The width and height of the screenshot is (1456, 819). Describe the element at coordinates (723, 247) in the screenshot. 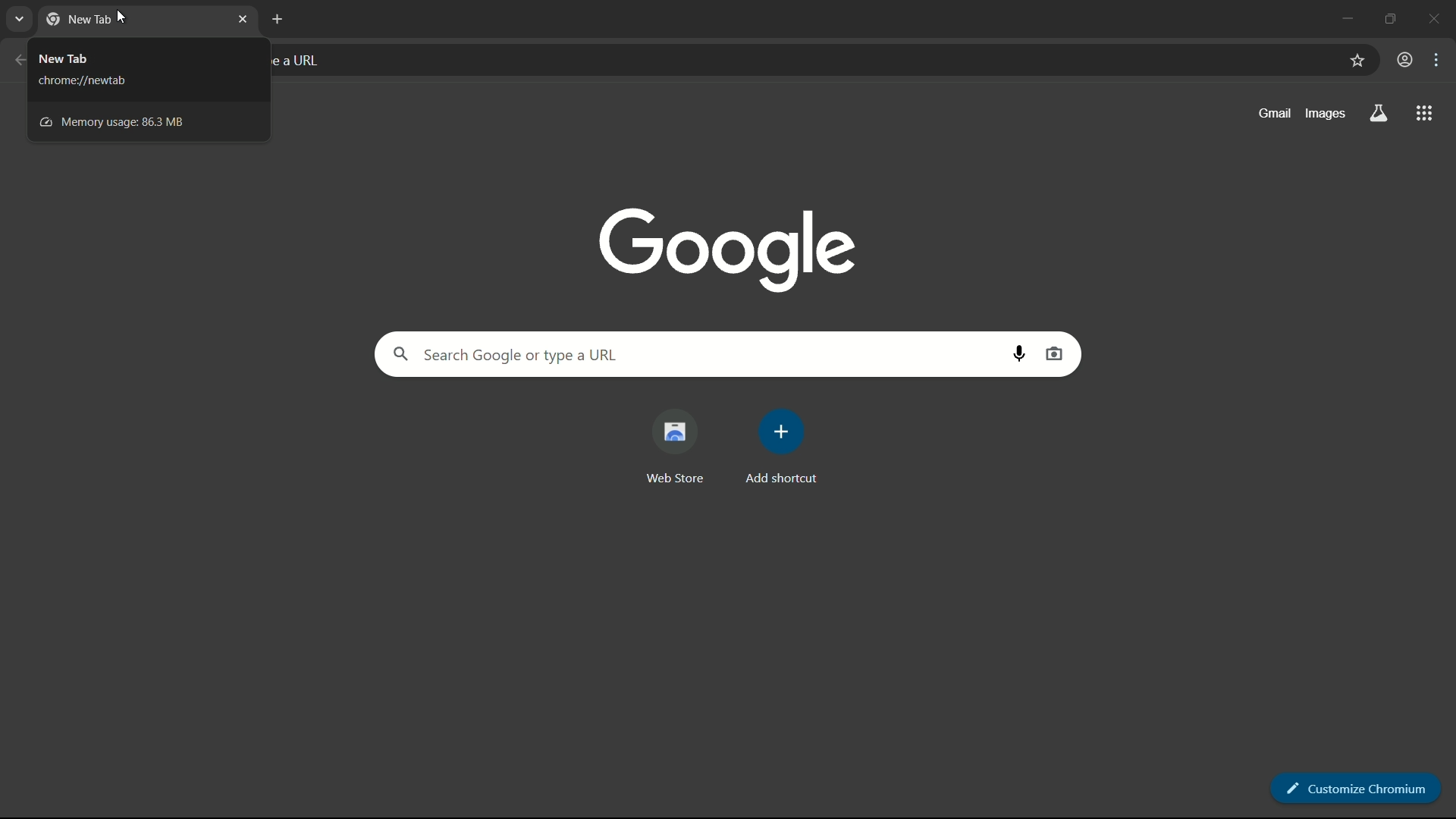

I see `google thumbnail` at that location.